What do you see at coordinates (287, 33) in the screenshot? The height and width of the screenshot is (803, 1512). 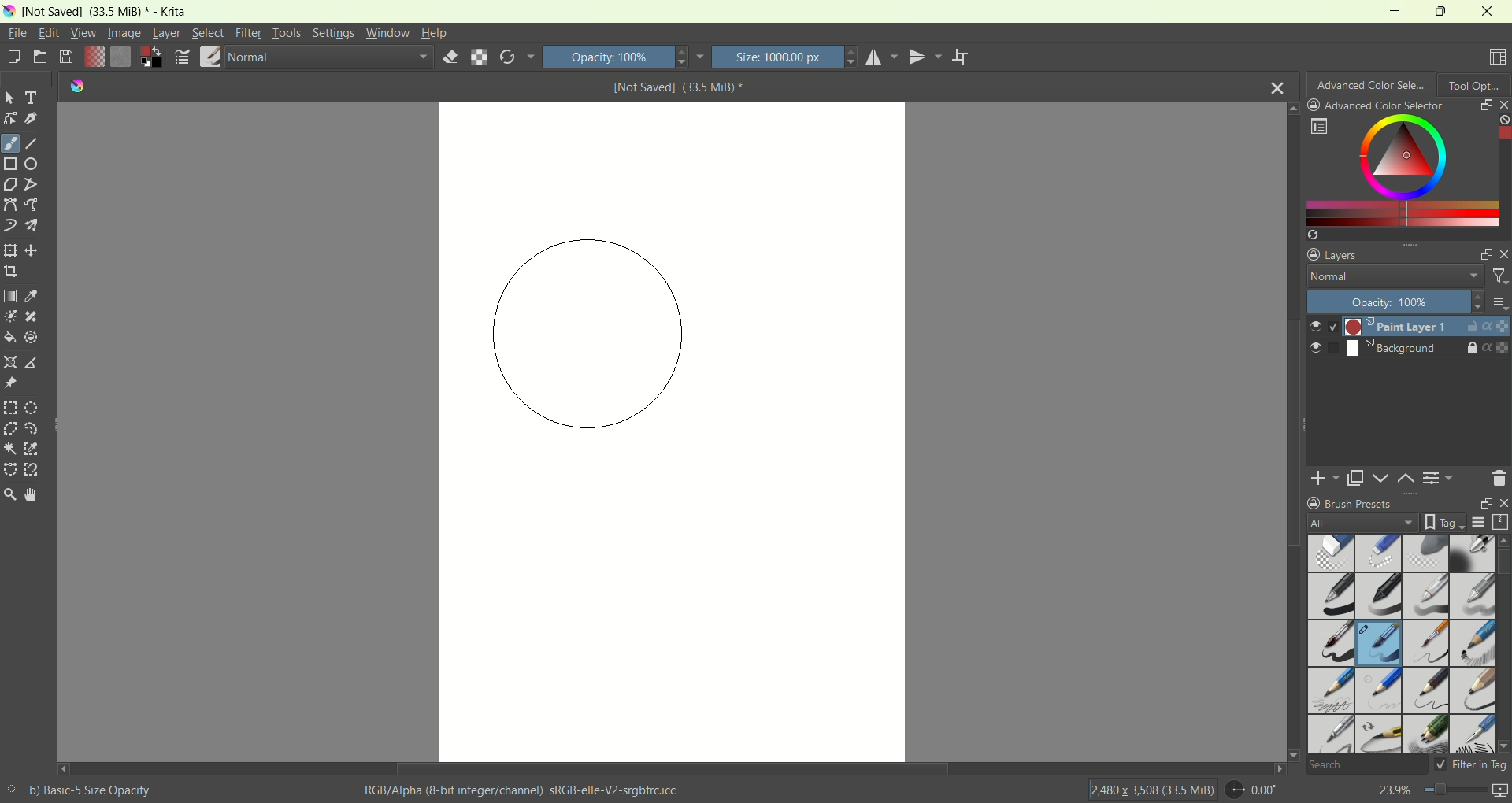 I see `tools` at bounding box center [287, 33].